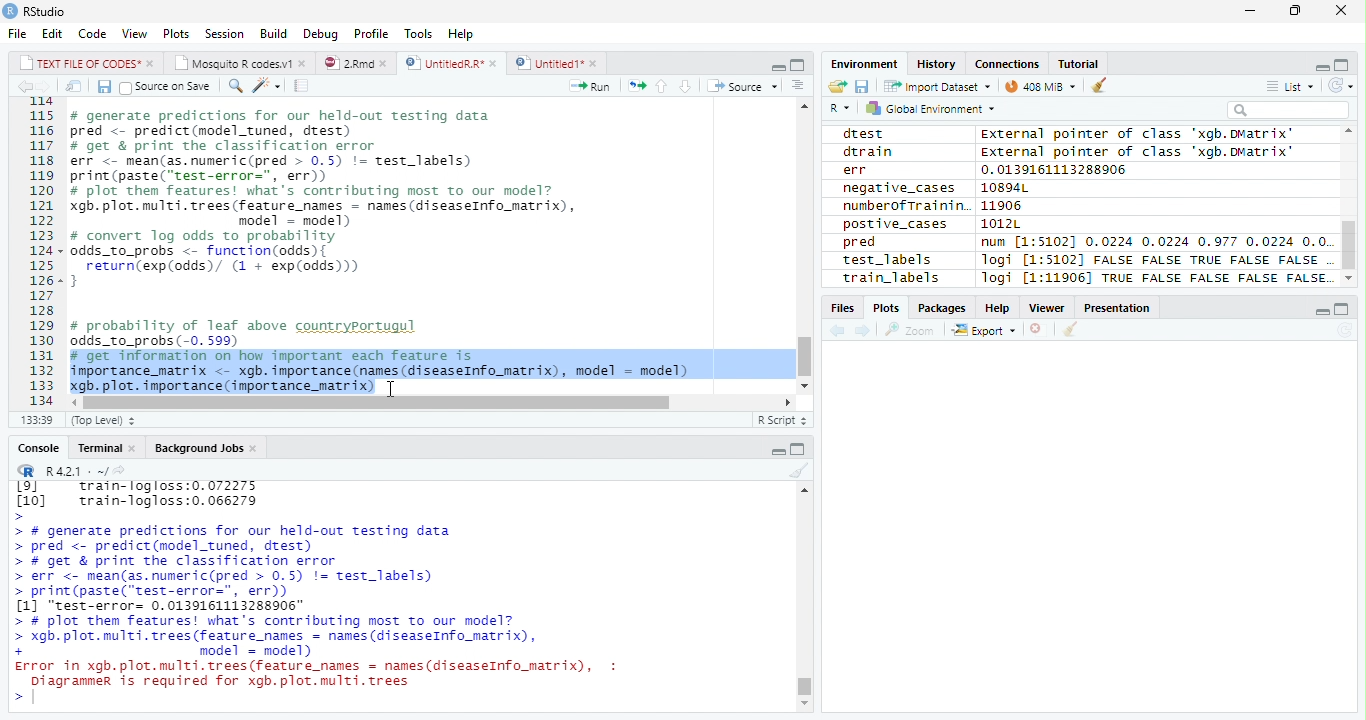  What do you see at coordinates (16, 33) in the screenshot?
I see `File` at bounding box center [16, 33].